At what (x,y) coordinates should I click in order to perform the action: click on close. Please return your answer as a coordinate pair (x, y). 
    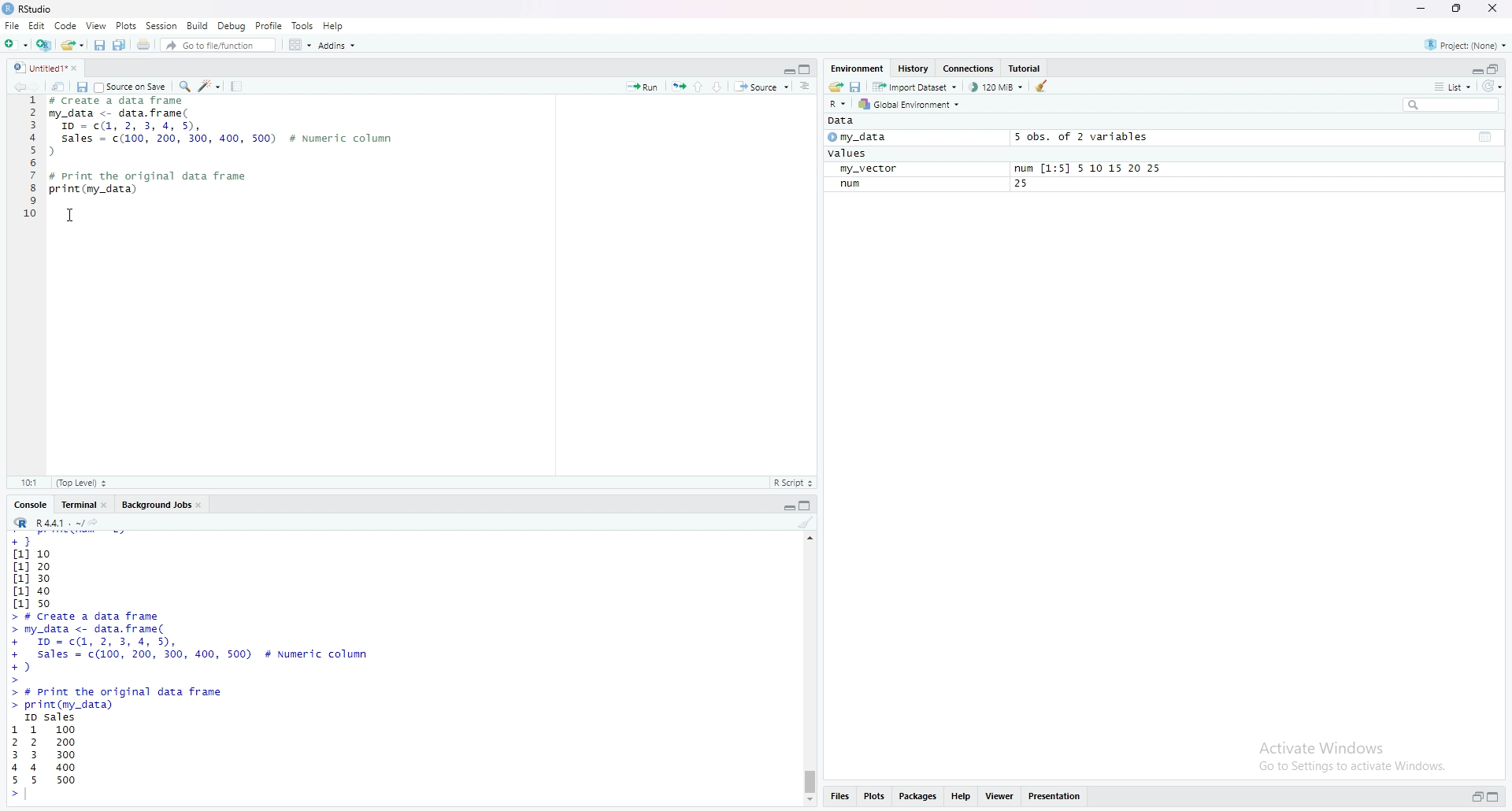
    Looking at the image, I should click on (1499, 9).